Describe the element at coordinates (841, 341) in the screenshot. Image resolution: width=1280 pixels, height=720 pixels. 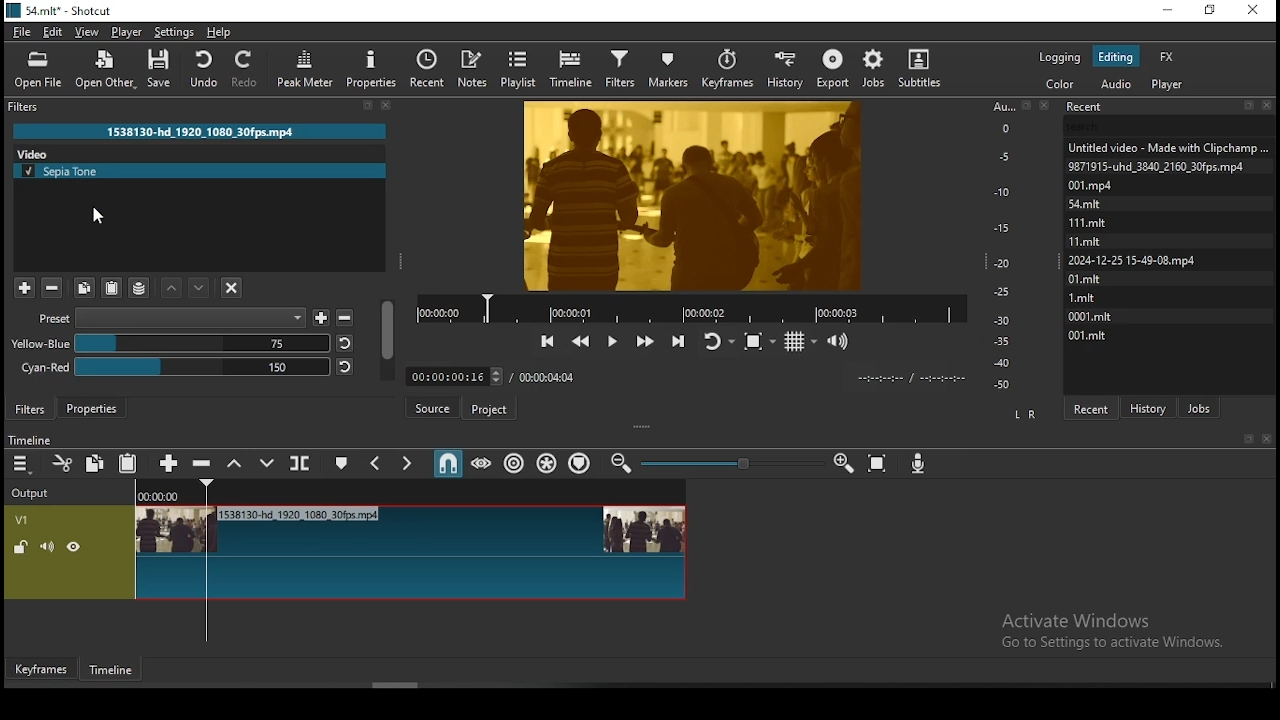
I see `volume control` at that location.